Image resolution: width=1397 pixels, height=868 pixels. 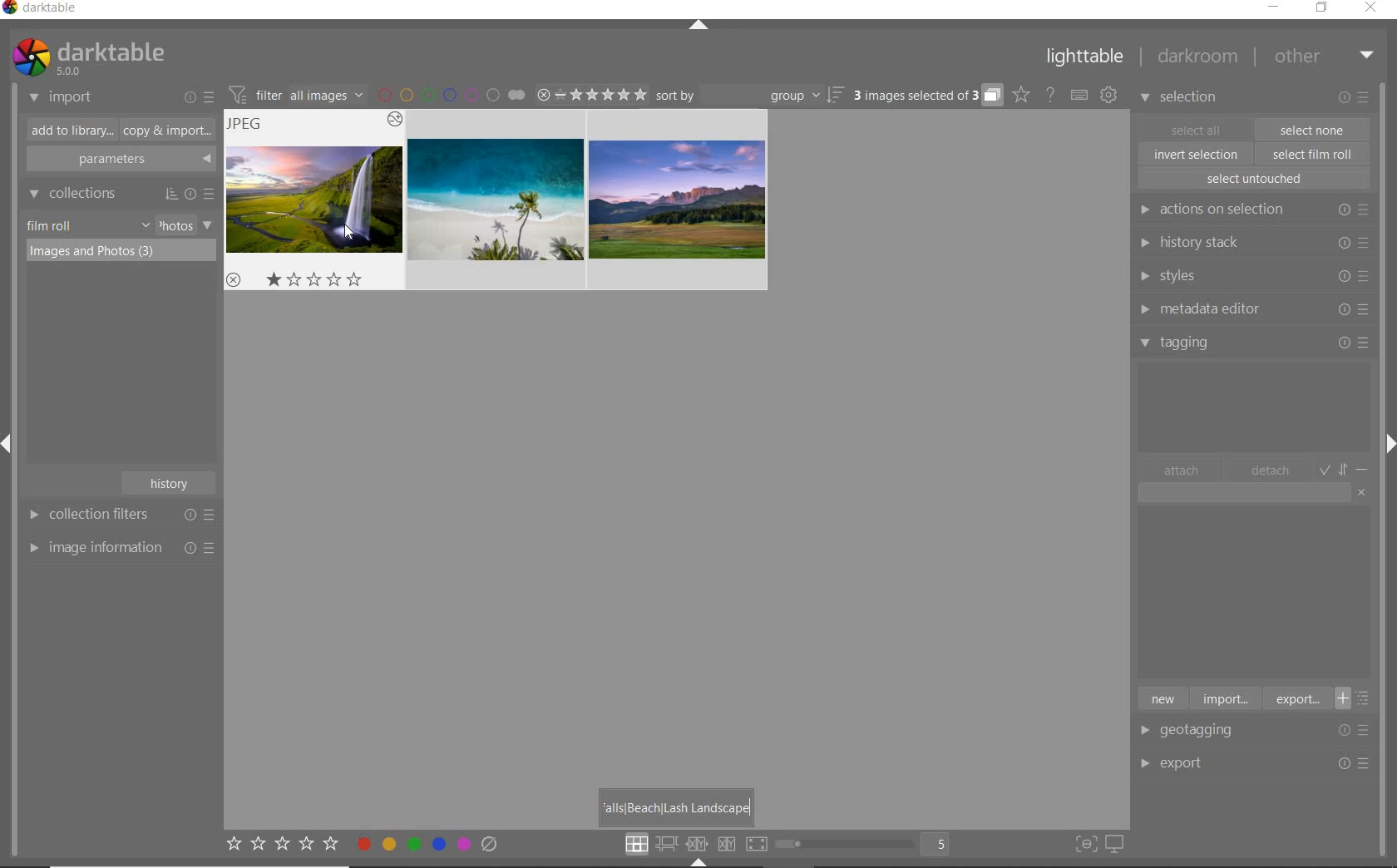 What do you see at coordinates (1085, 60) in the screenshot?
I see `lighttable` at bounding box center [1085, 60].